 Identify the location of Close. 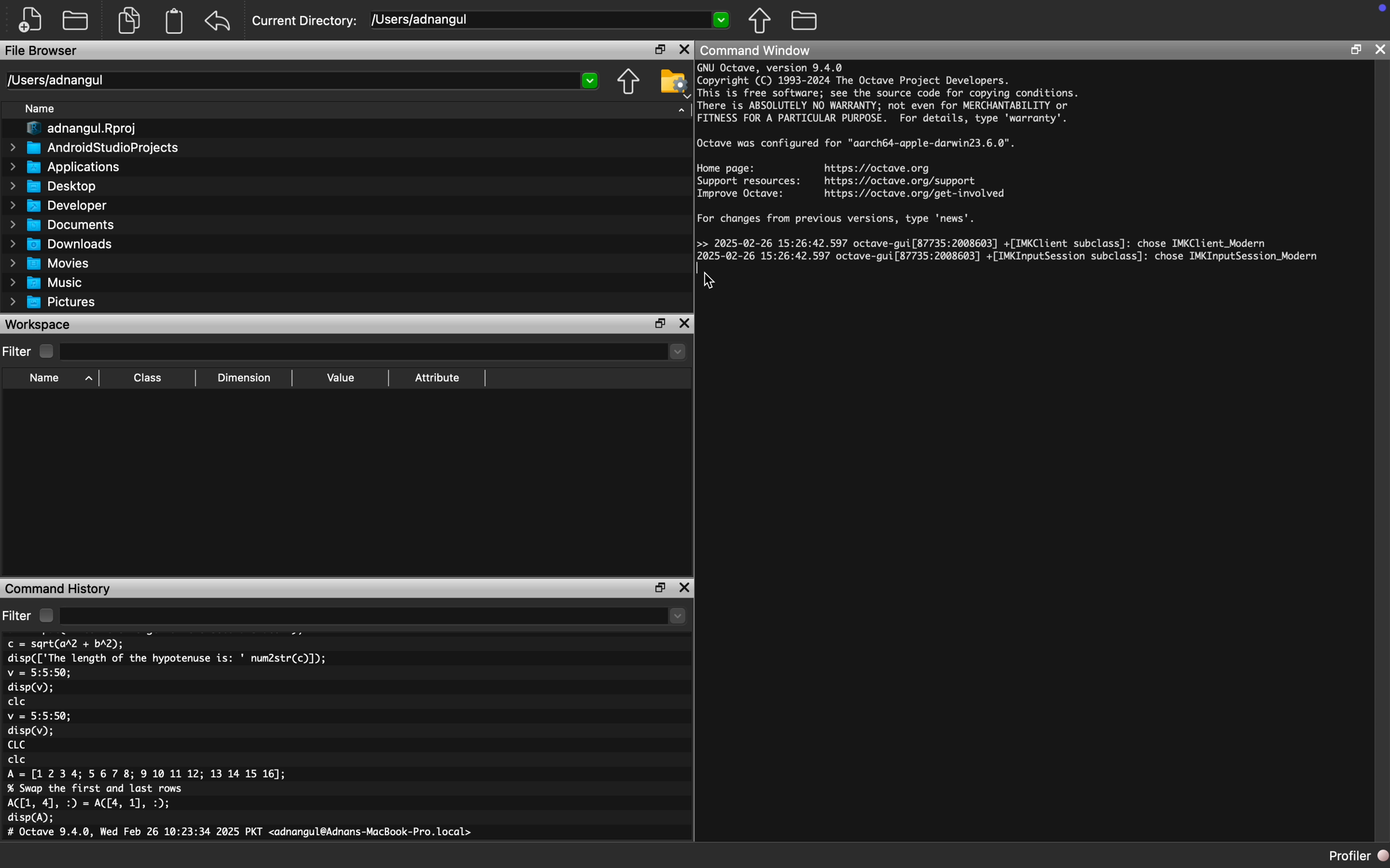
(1381, 49).